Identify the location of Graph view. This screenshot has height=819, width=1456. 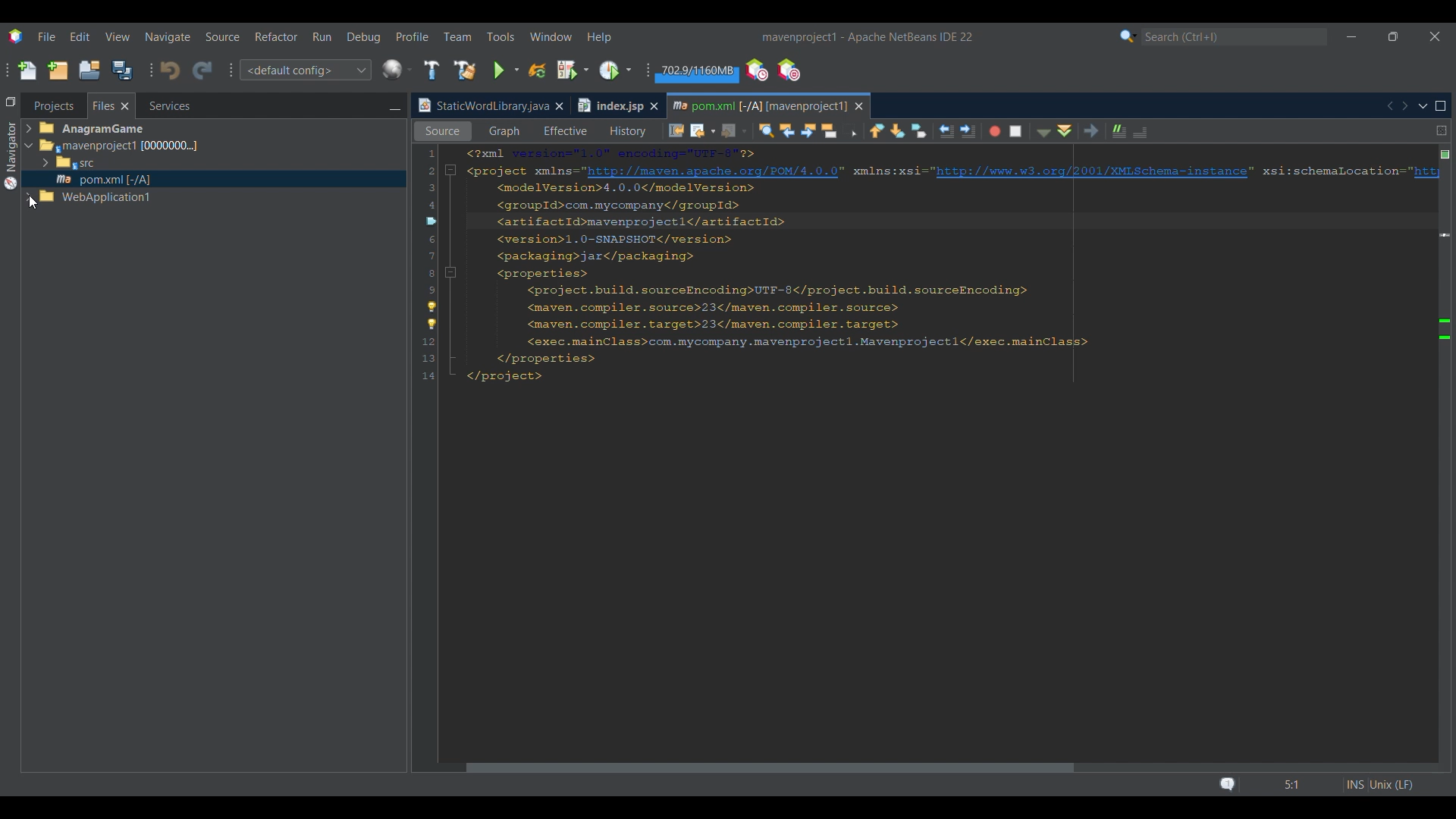
(503, 131).